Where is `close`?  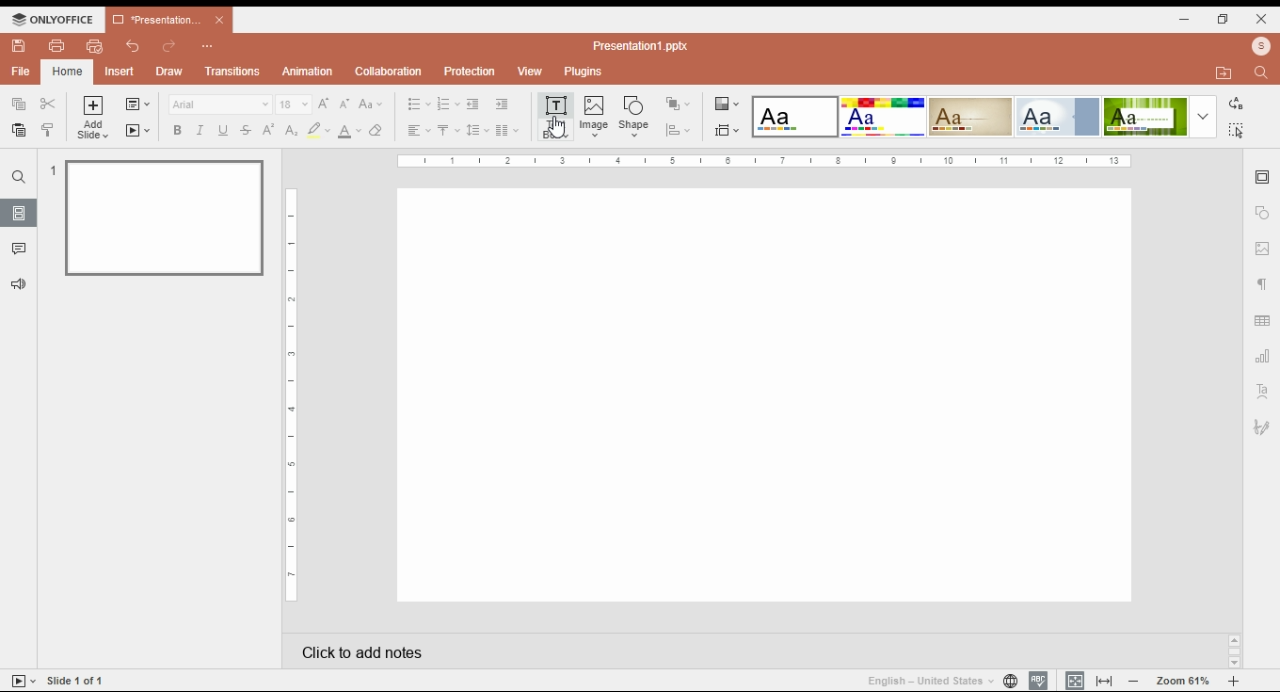 close is located at coordinates (220, 20).